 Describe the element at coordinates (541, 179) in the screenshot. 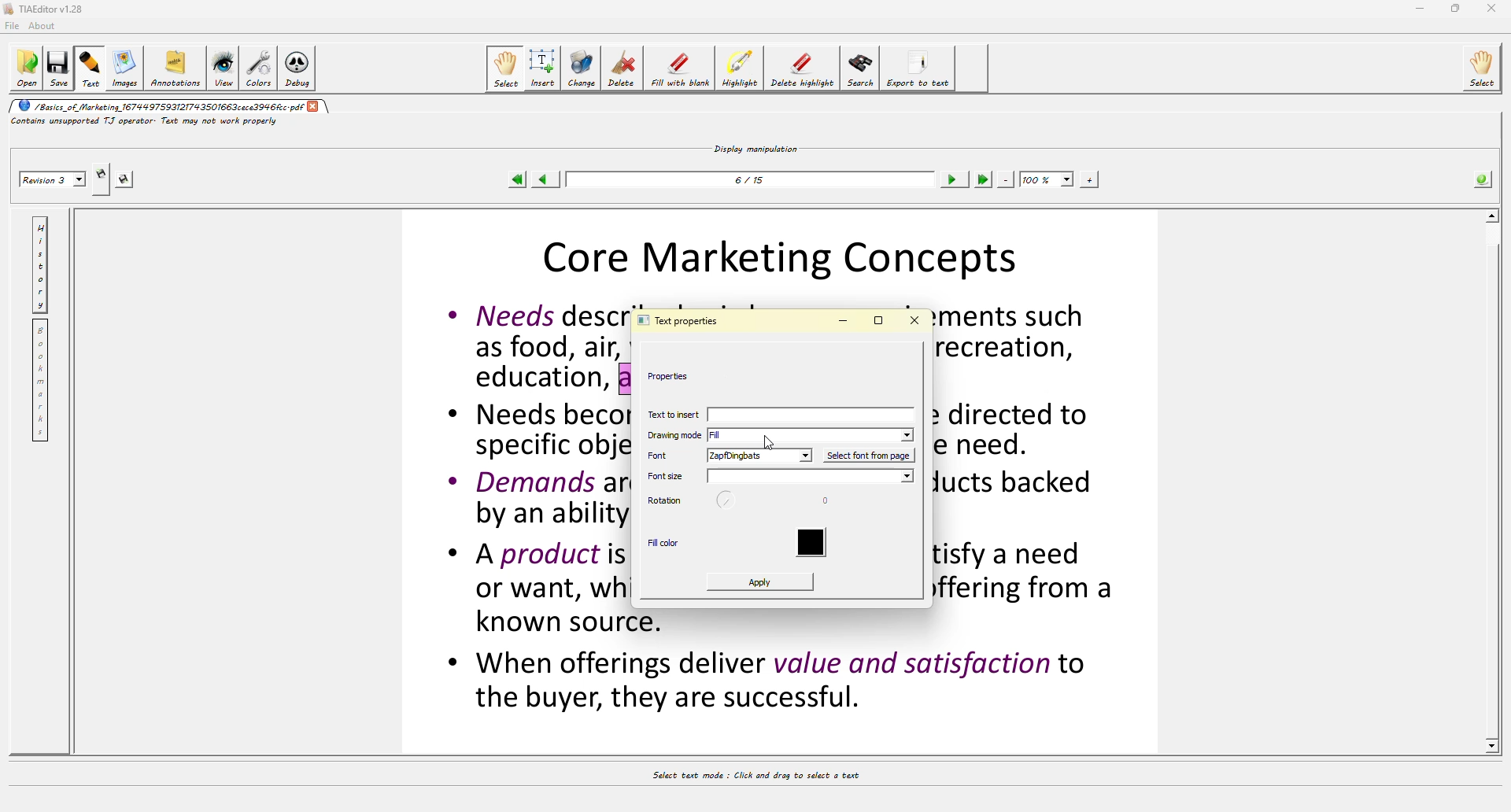

I see `previous page` at that location.